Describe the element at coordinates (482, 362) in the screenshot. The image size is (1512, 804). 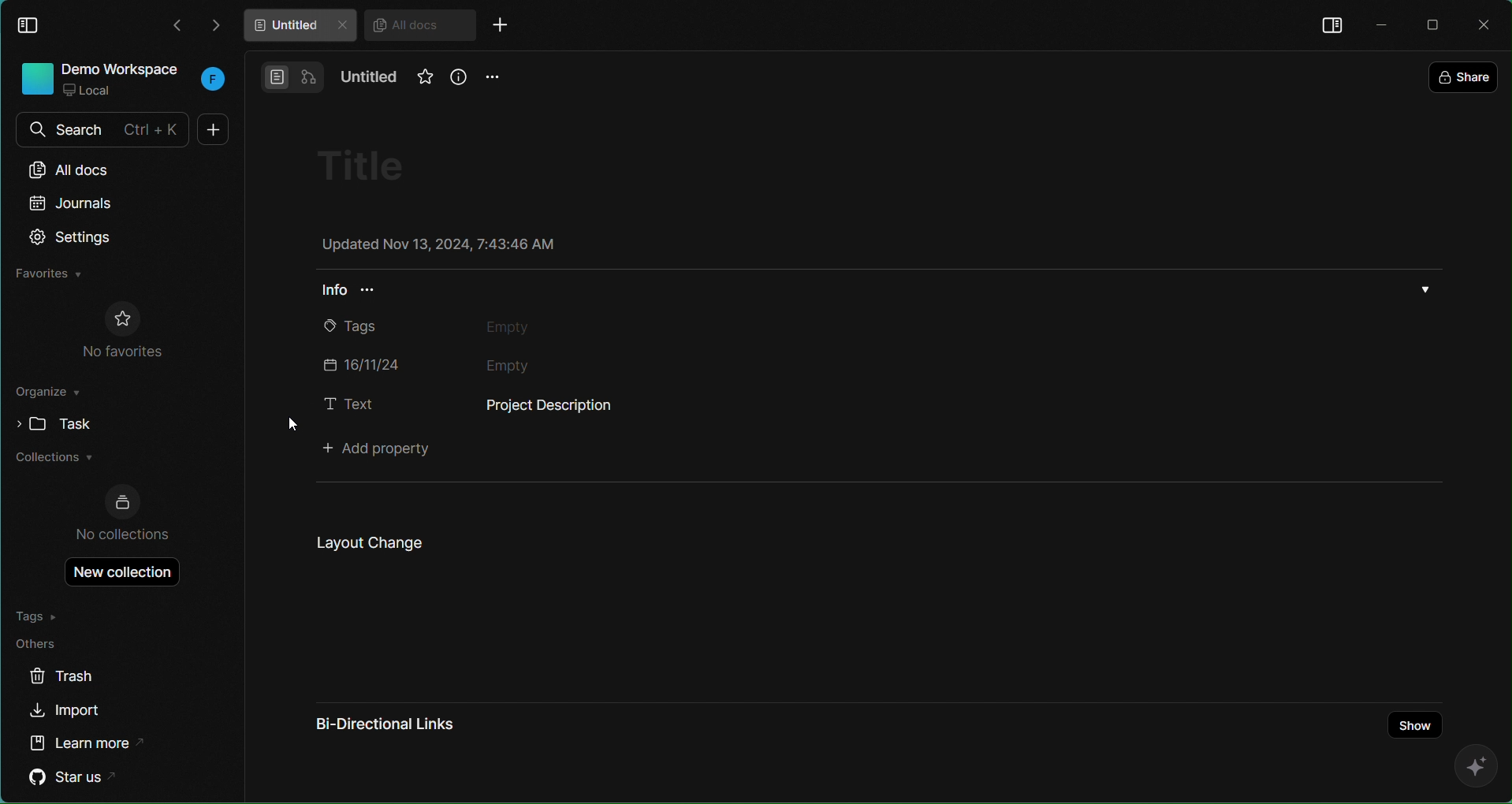
I see `Date` at that location.